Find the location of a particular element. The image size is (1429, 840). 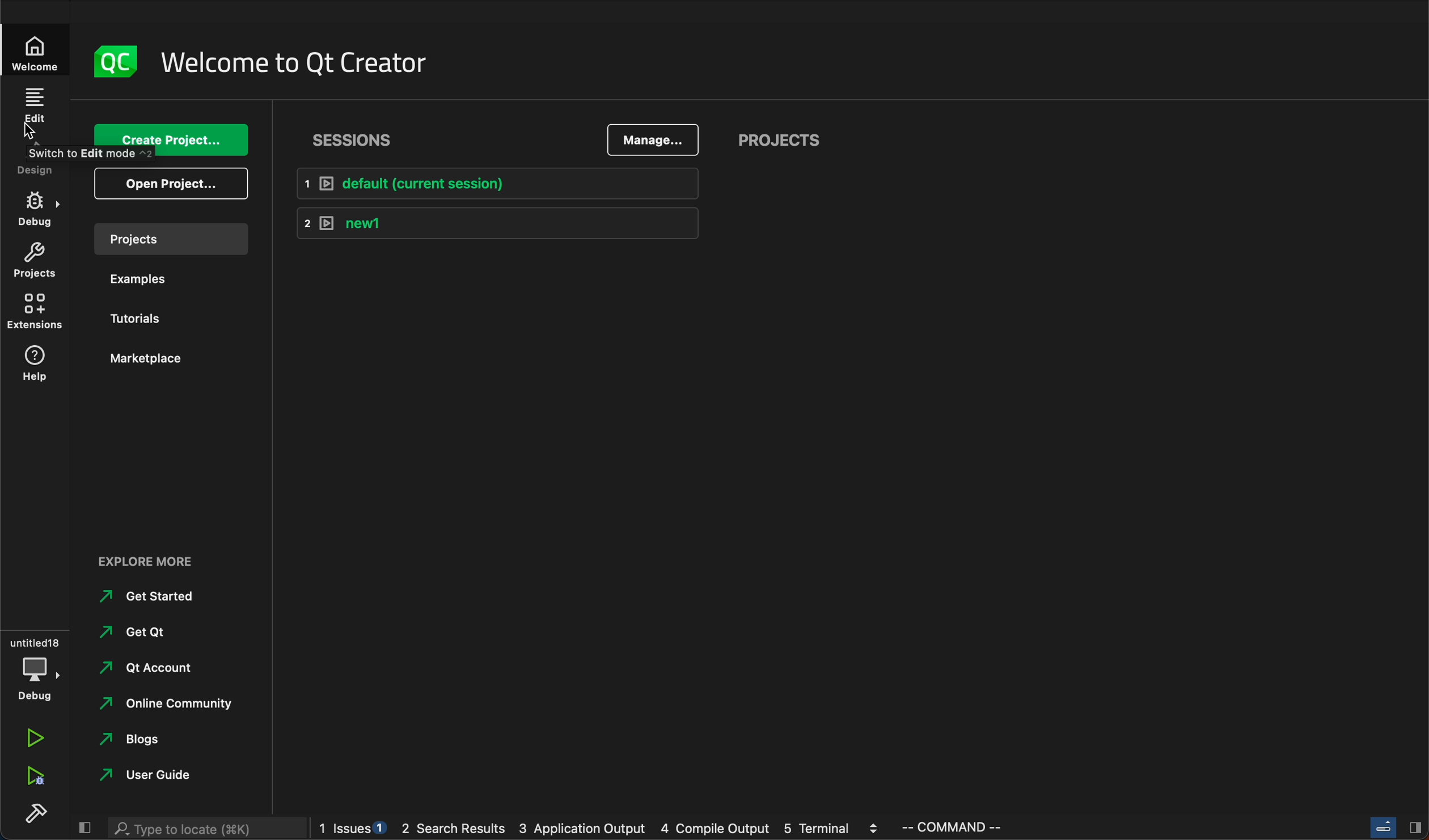

account is located at coordinates (161, 666).